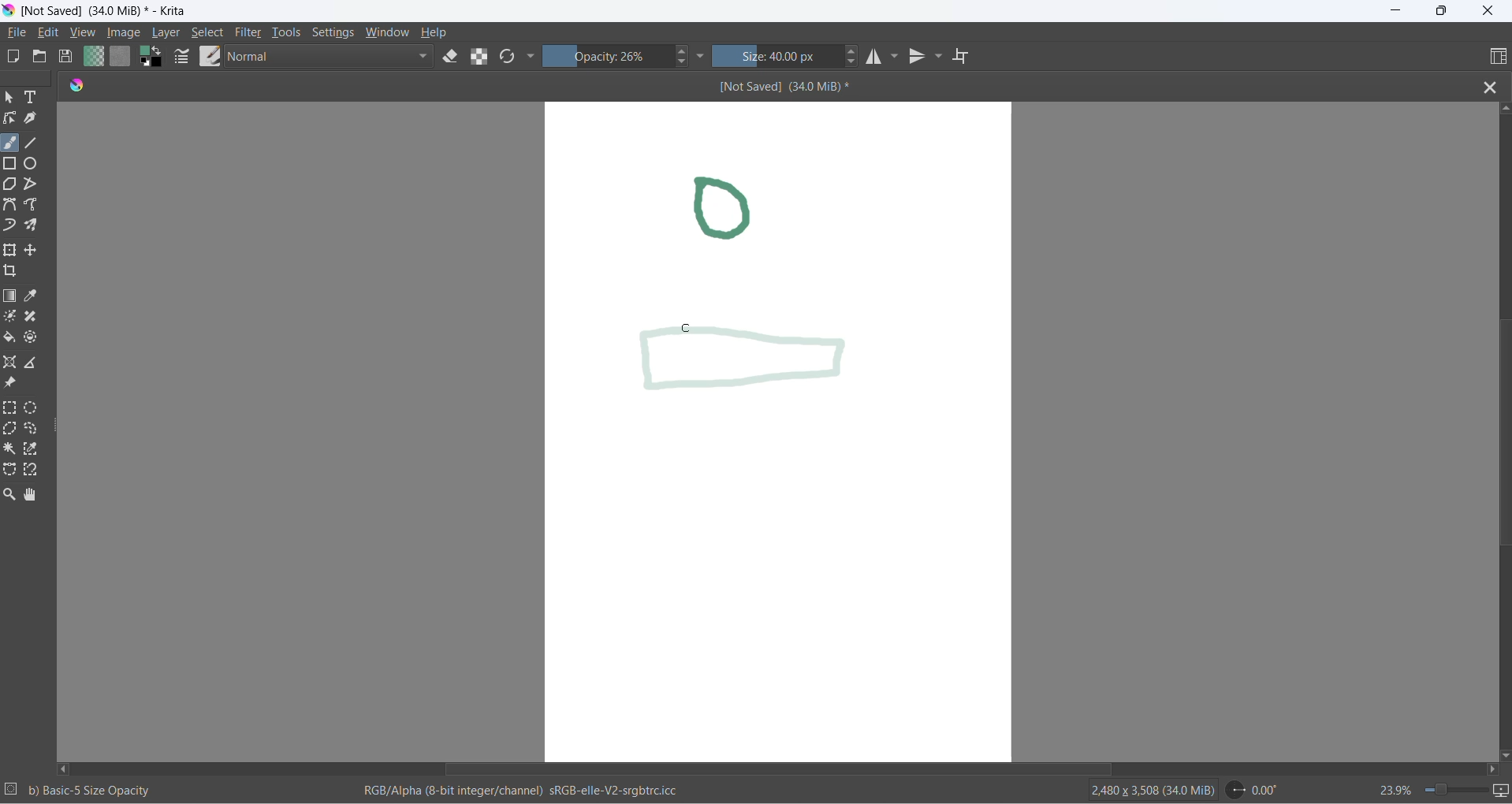 This screenshot has width=1512, height=804. I want to click on close file, so click(1487, 86).